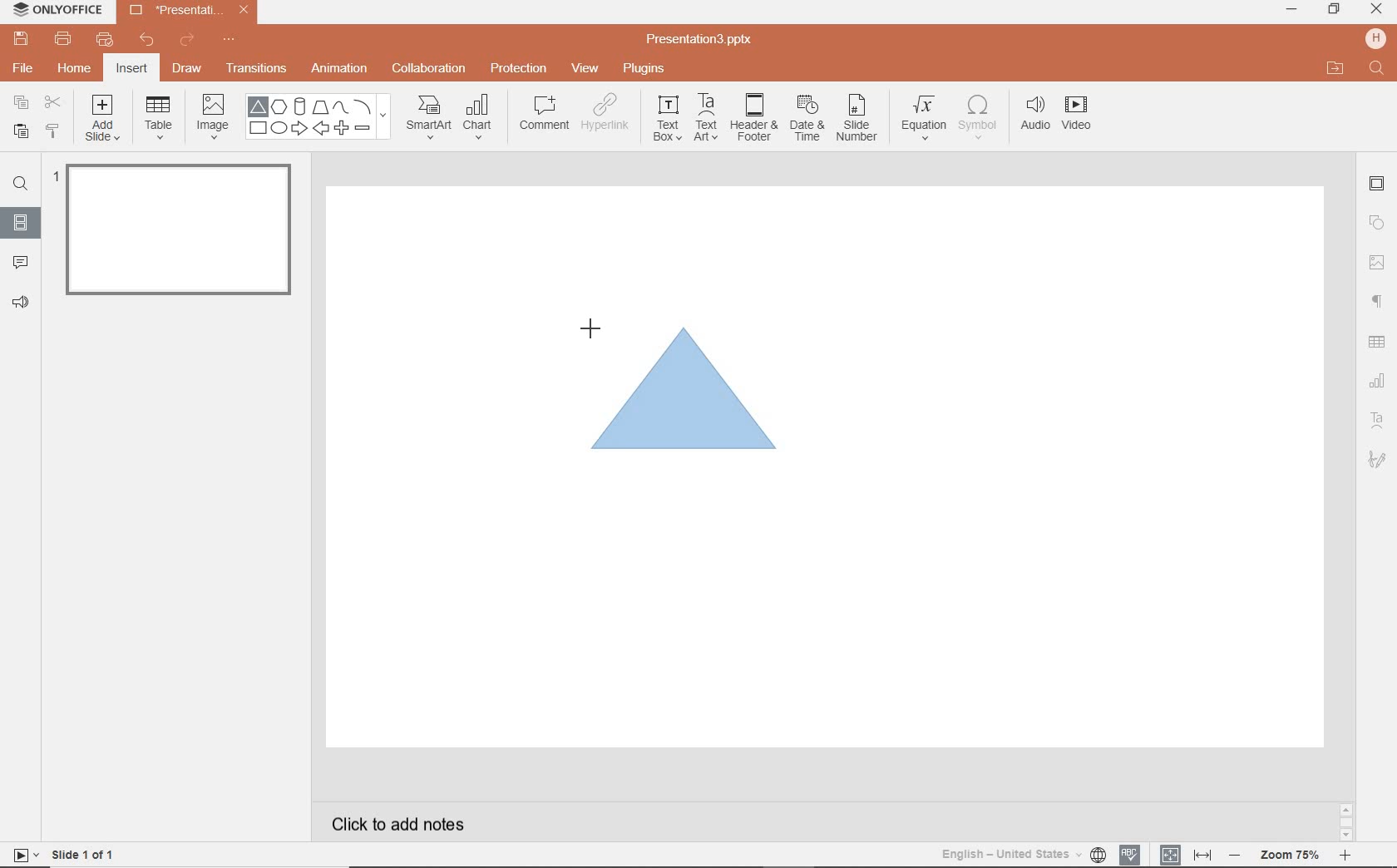 The height and width of the screenshot is (868, 1397). I want to click on VIEW, so click(586, 70).